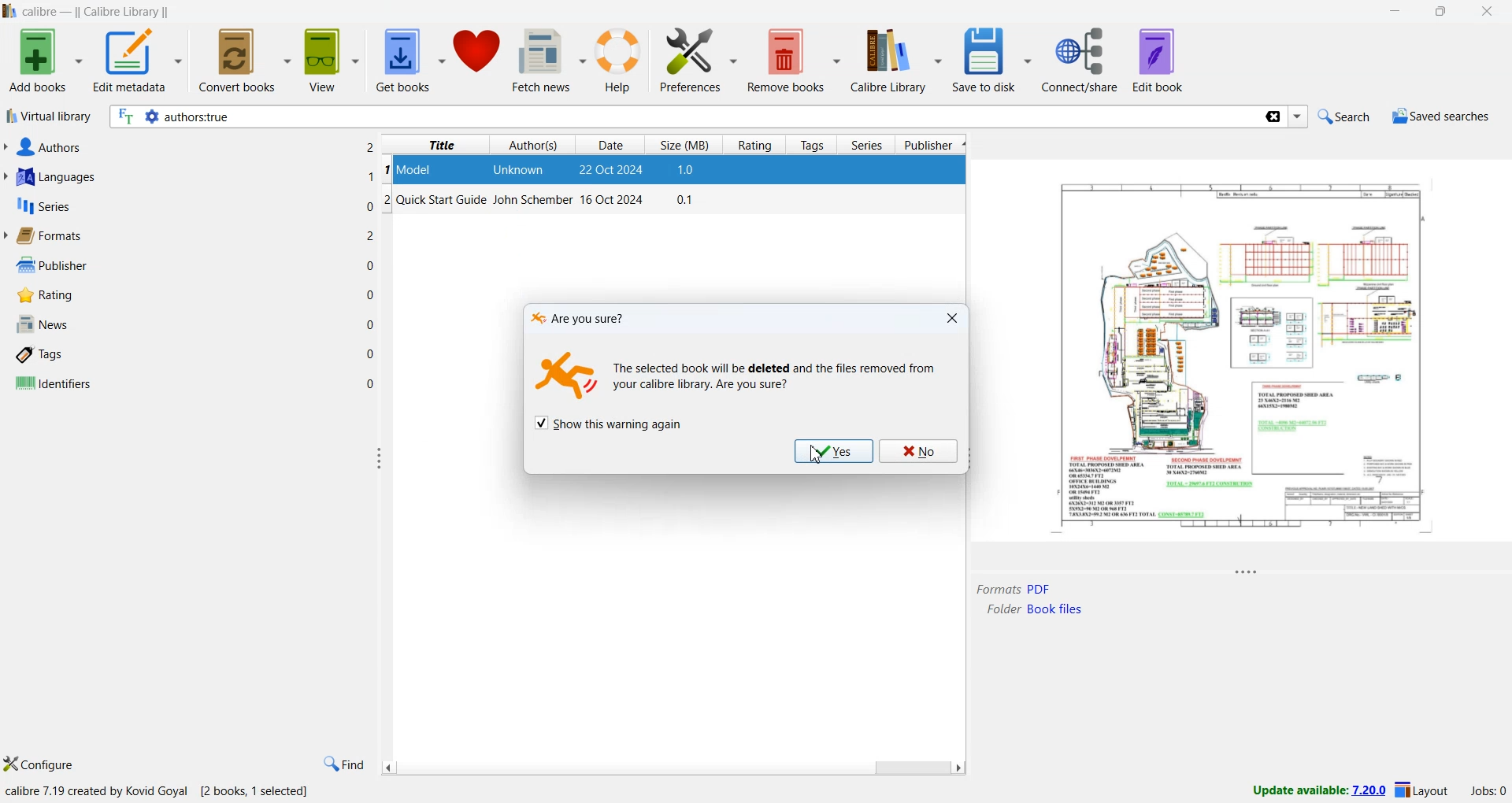 Image resolution: width=1512 pixels, height=803 pixels. I want to click on 0, so click(371, 353).